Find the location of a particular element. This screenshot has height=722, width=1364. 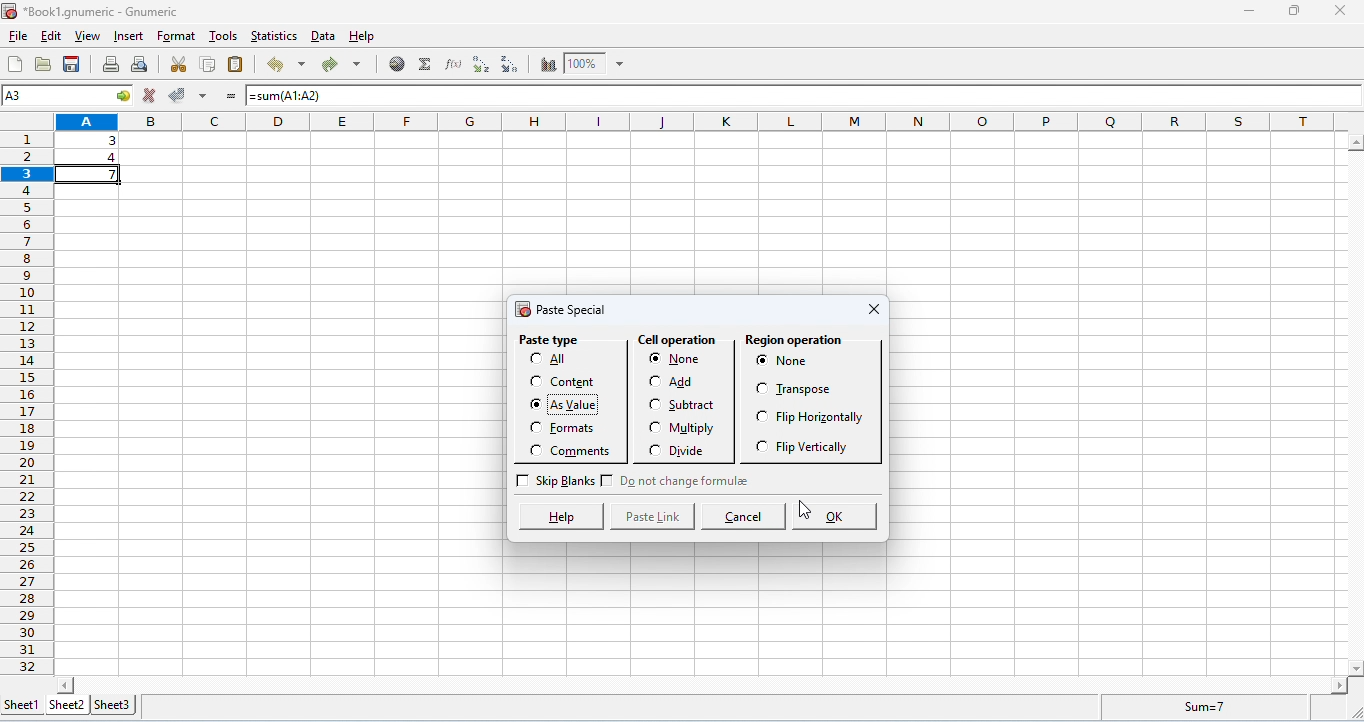

statistics is located at coordinates (275, 37).